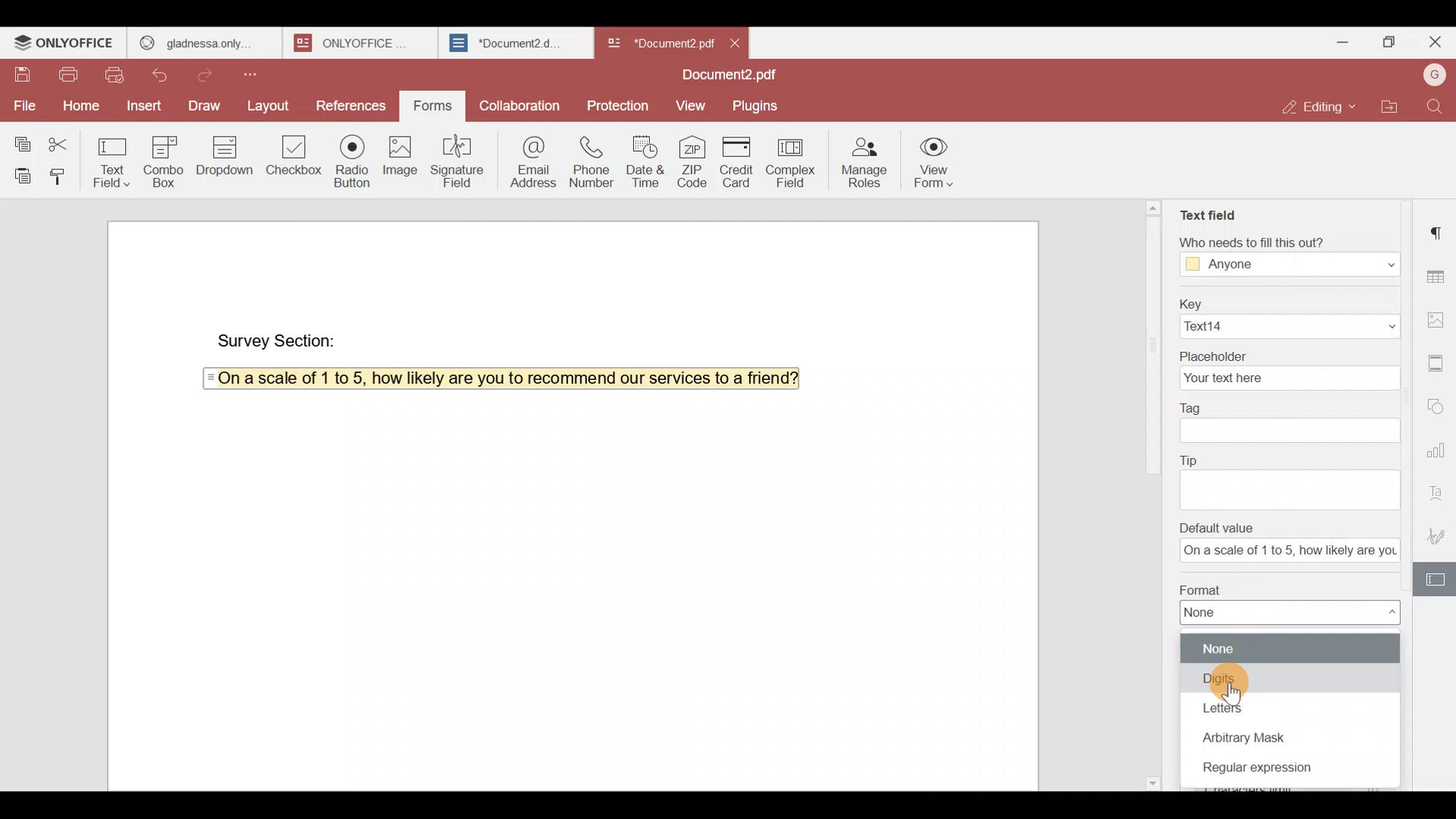  What do you see at coordinates (163, 76) in the screenshot?
I see `Undo` at bounding box center [163, 76].